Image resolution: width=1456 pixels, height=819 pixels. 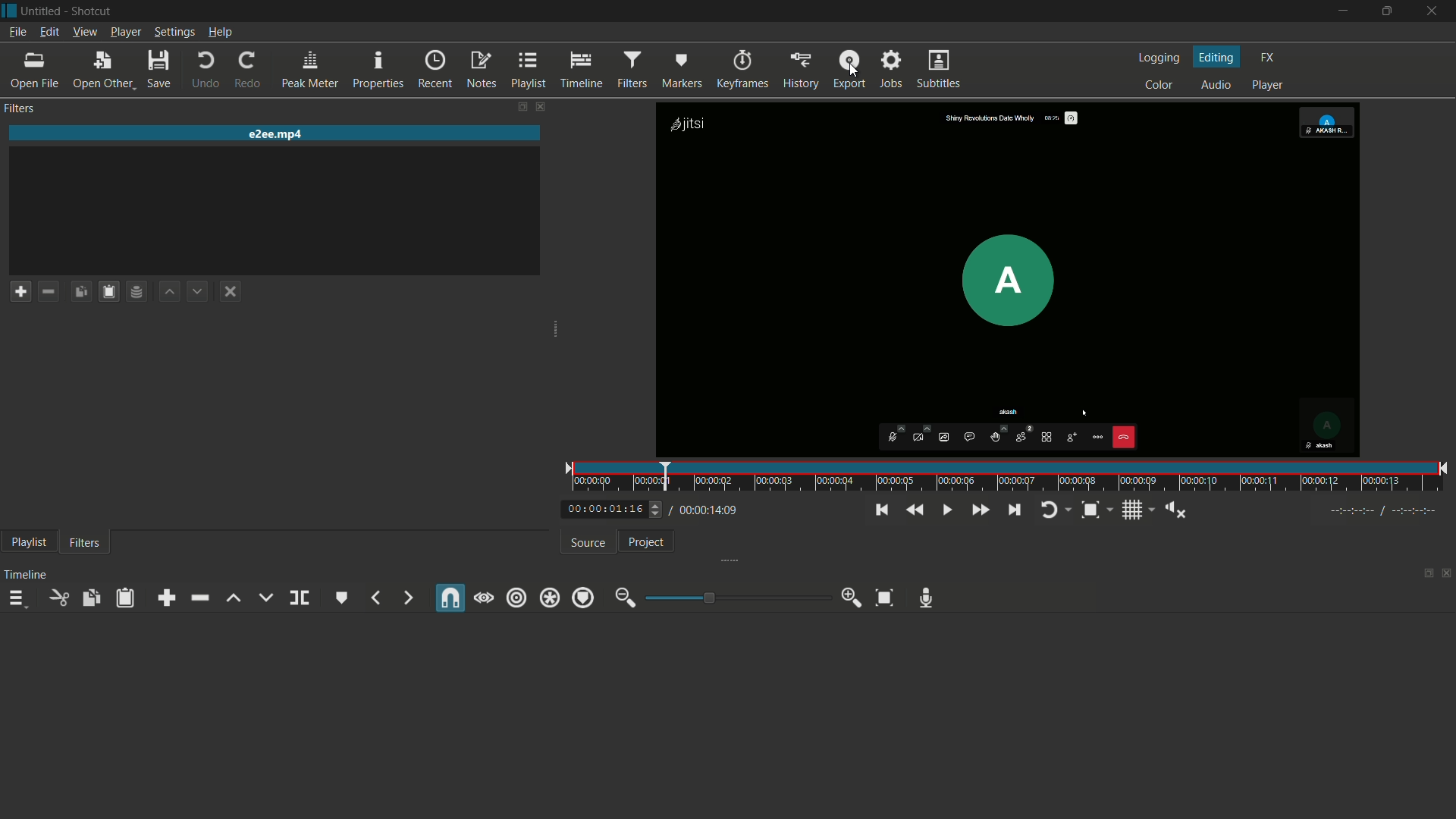 What do you see at coordinates (1216, 58) in the screenshot?
I see `editing` at bounding box center [1216, 58].